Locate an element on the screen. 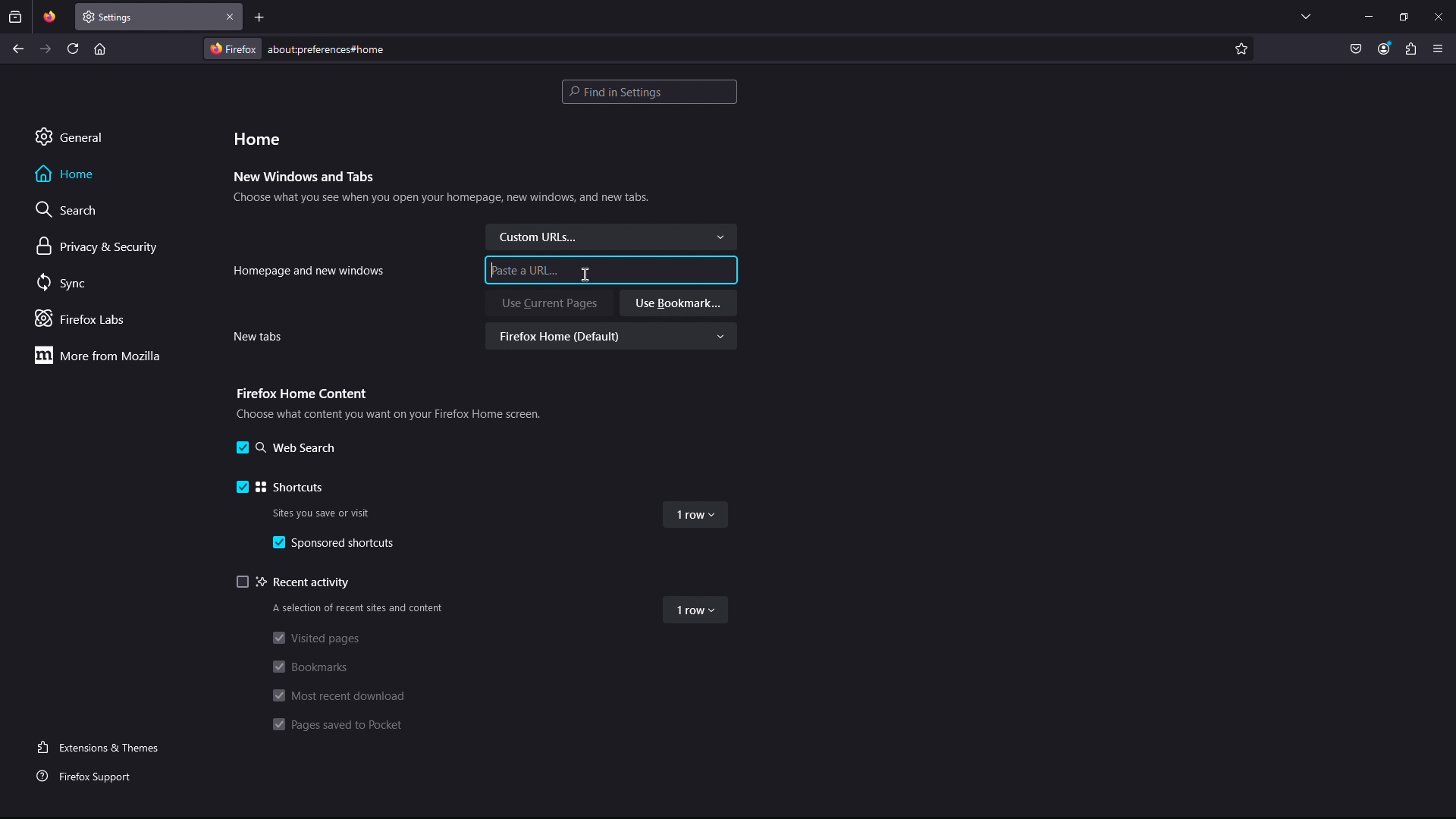 This screenshot has width=1456, height=819. Back is located at coordinates (18, 49).